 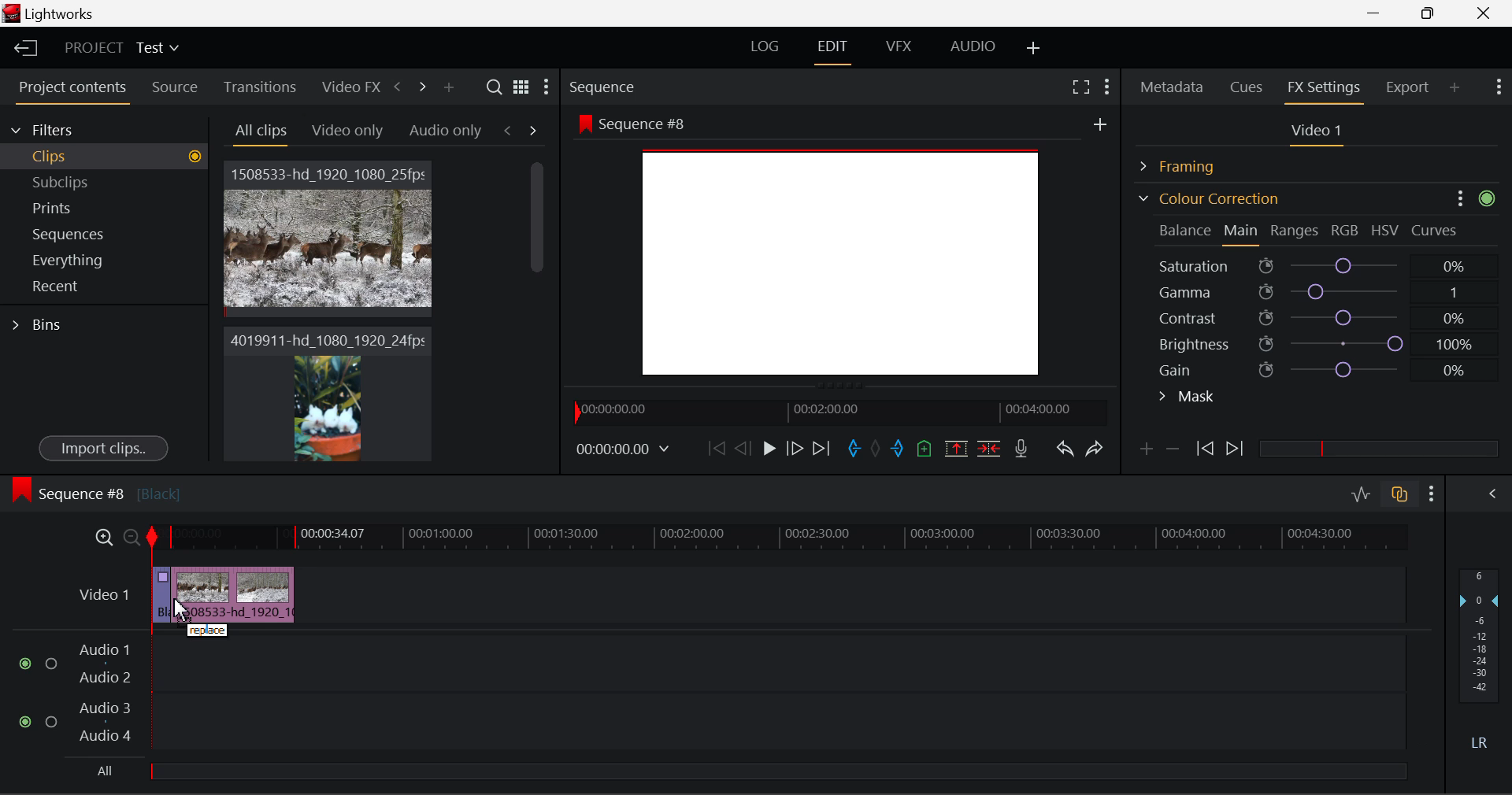 What do you see at coordinates (1295, 232) in the screenshot?
I see `Ranges` at bounding box center [1295, 232].